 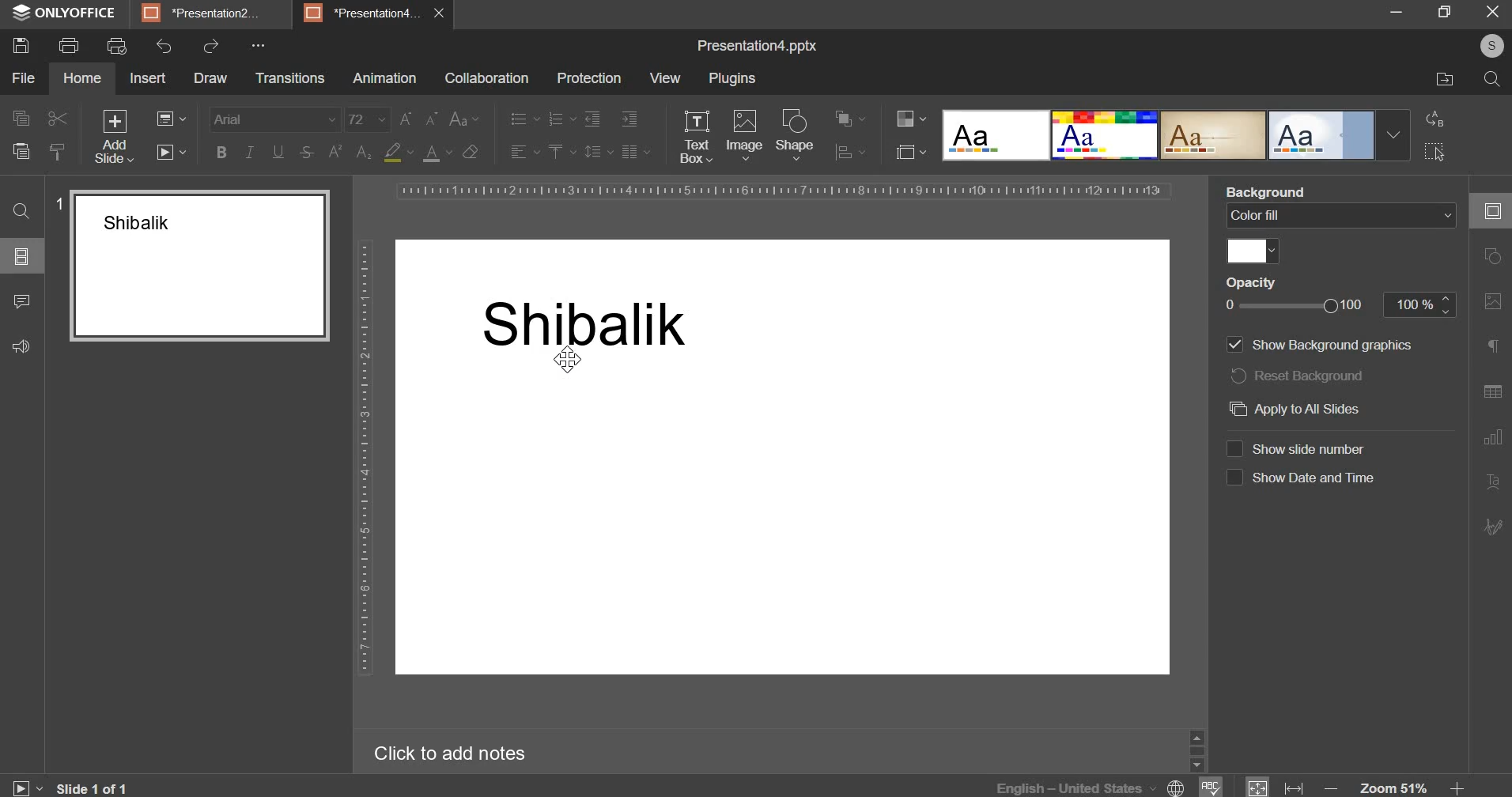 I want to click on copy, so click(x=21, y=121).